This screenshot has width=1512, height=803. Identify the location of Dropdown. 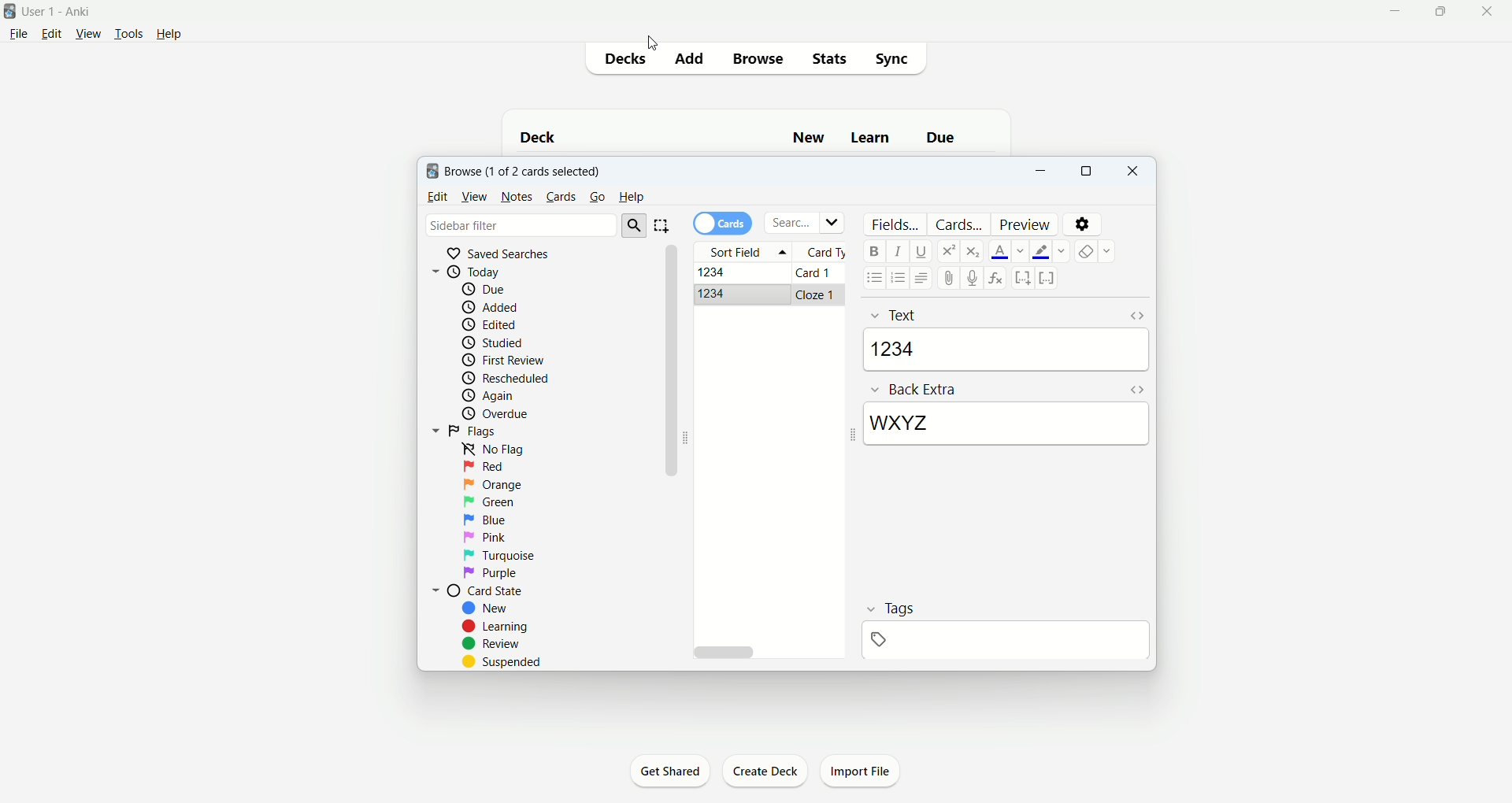
(837, 219).